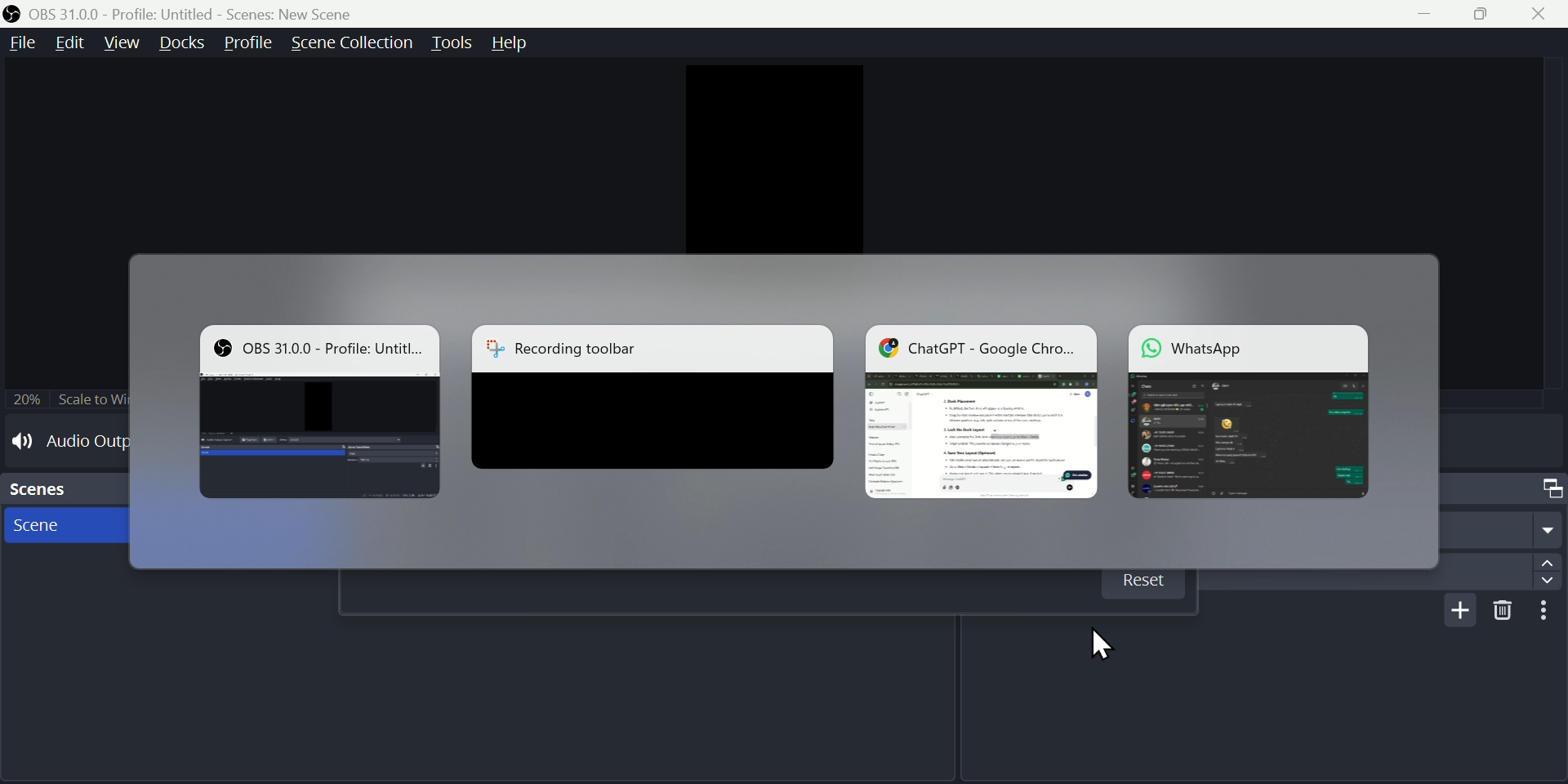 The image size is (1568, 784). What do you see at coordinates (64, 490) in the screenshot?
I see `Scenes` at bounding box center [64, 490].